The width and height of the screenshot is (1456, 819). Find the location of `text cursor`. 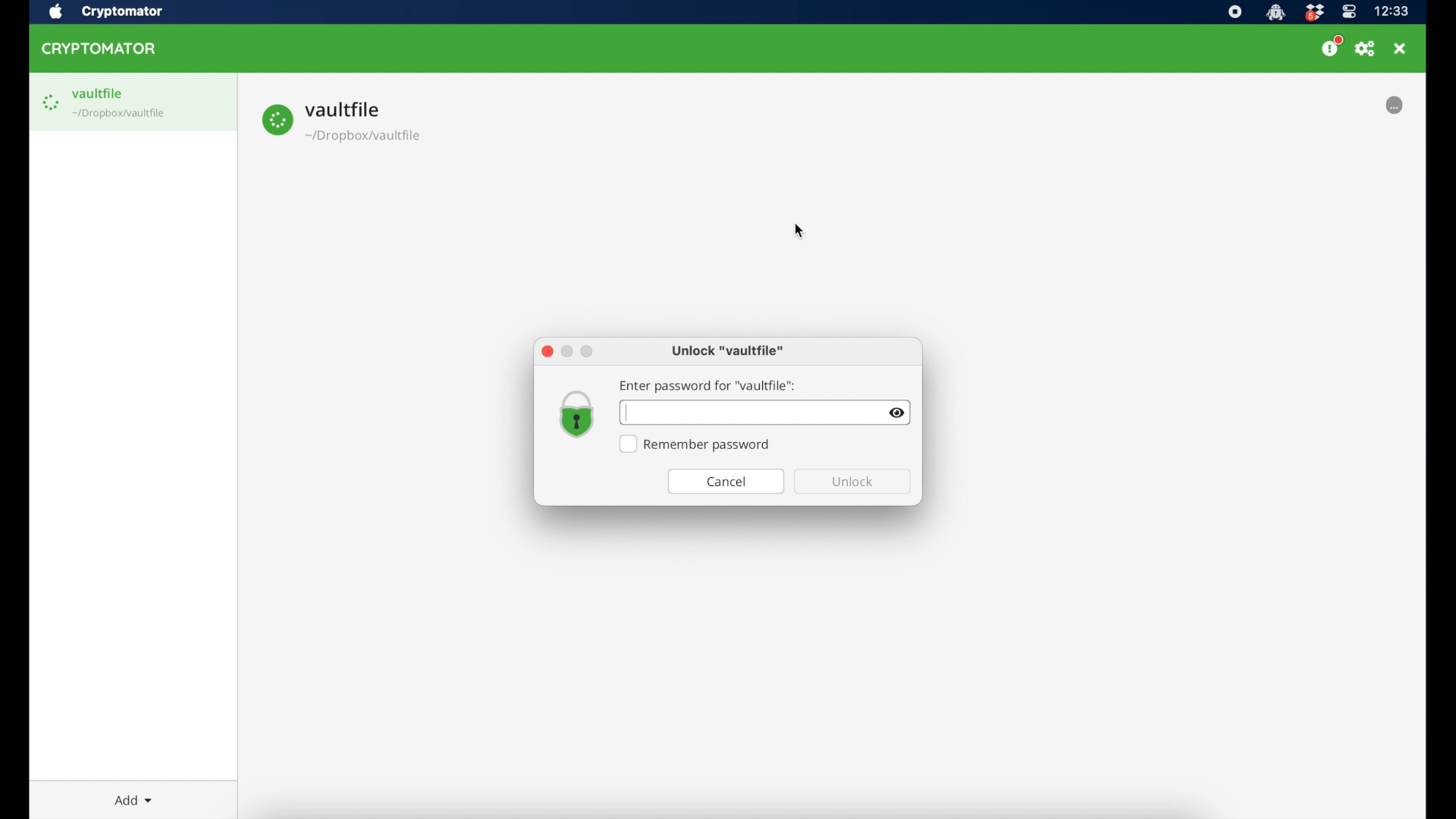

text cursor is located at coordinates (627, 412).